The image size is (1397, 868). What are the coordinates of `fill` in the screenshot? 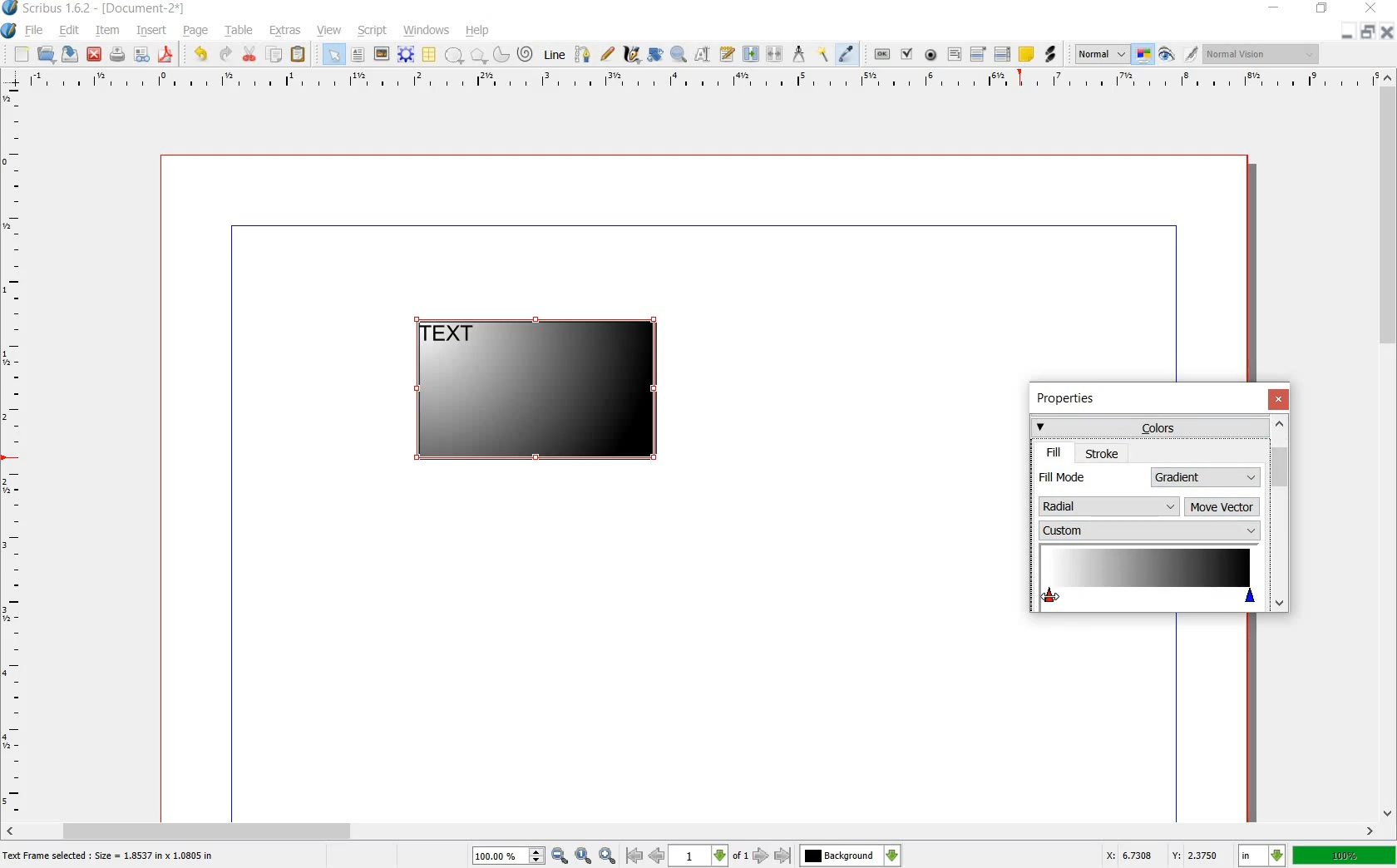 It's located at (1054, 452).